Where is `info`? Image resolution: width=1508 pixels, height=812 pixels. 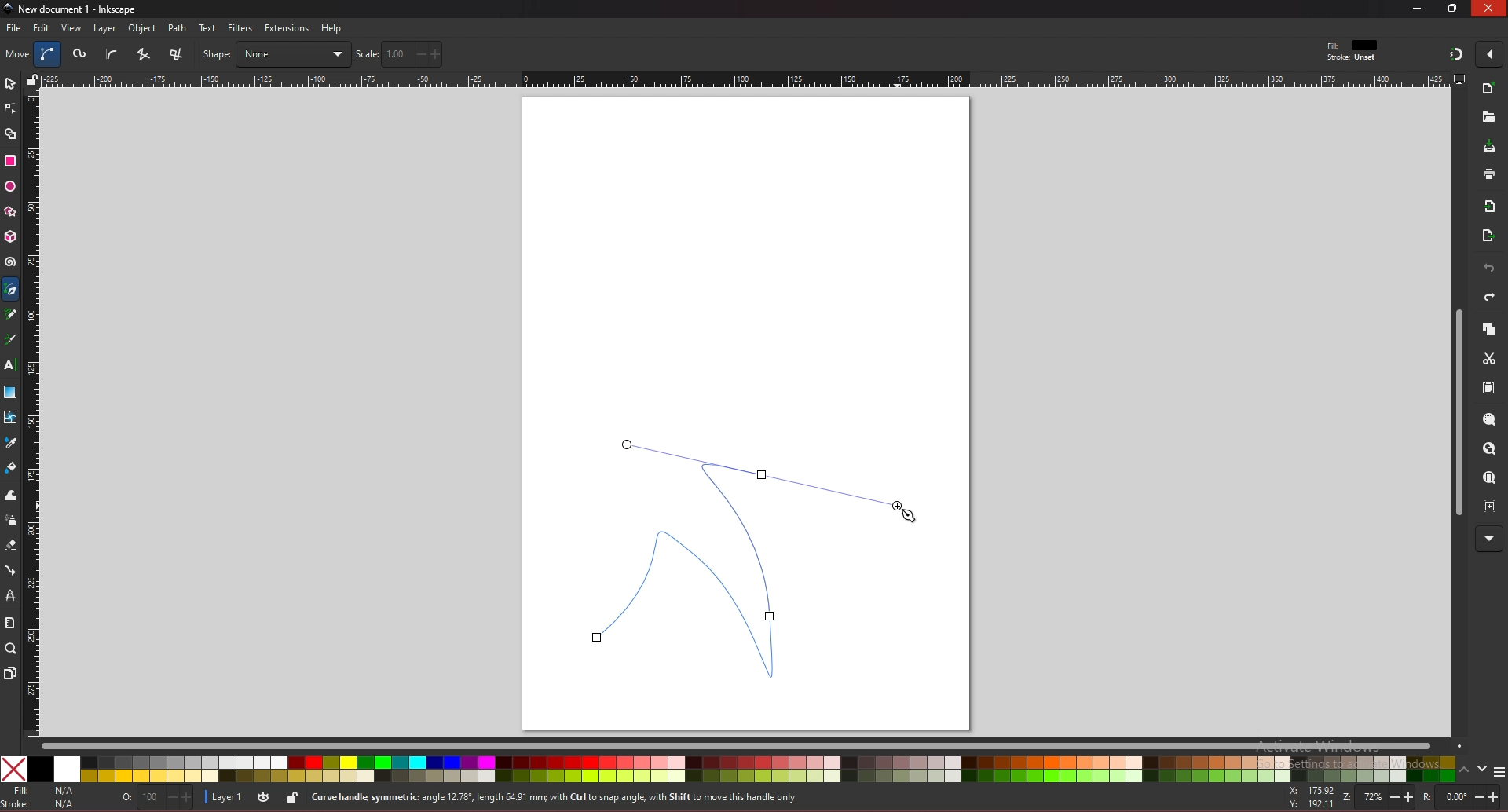 info is located at coordinates (588, 798).